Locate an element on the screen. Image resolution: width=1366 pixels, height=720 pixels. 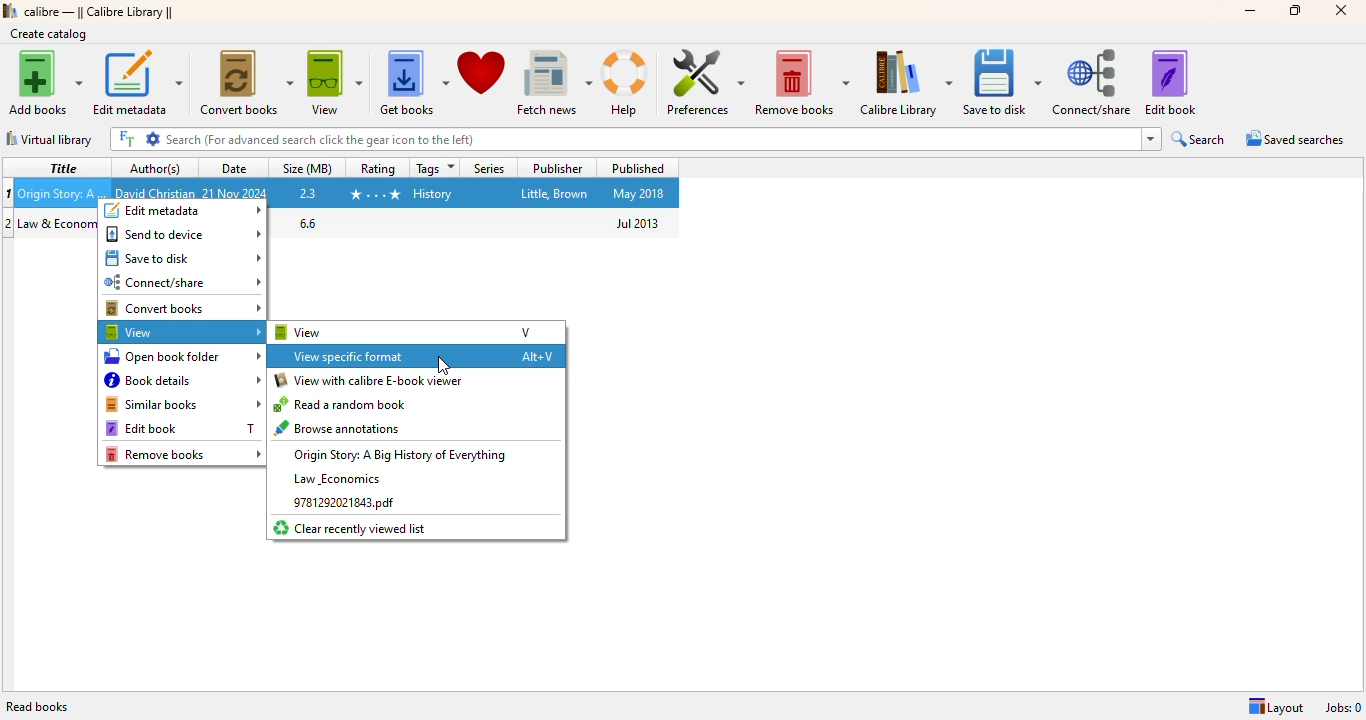
shortcut for view specific format is located at coordinates (536, 357).